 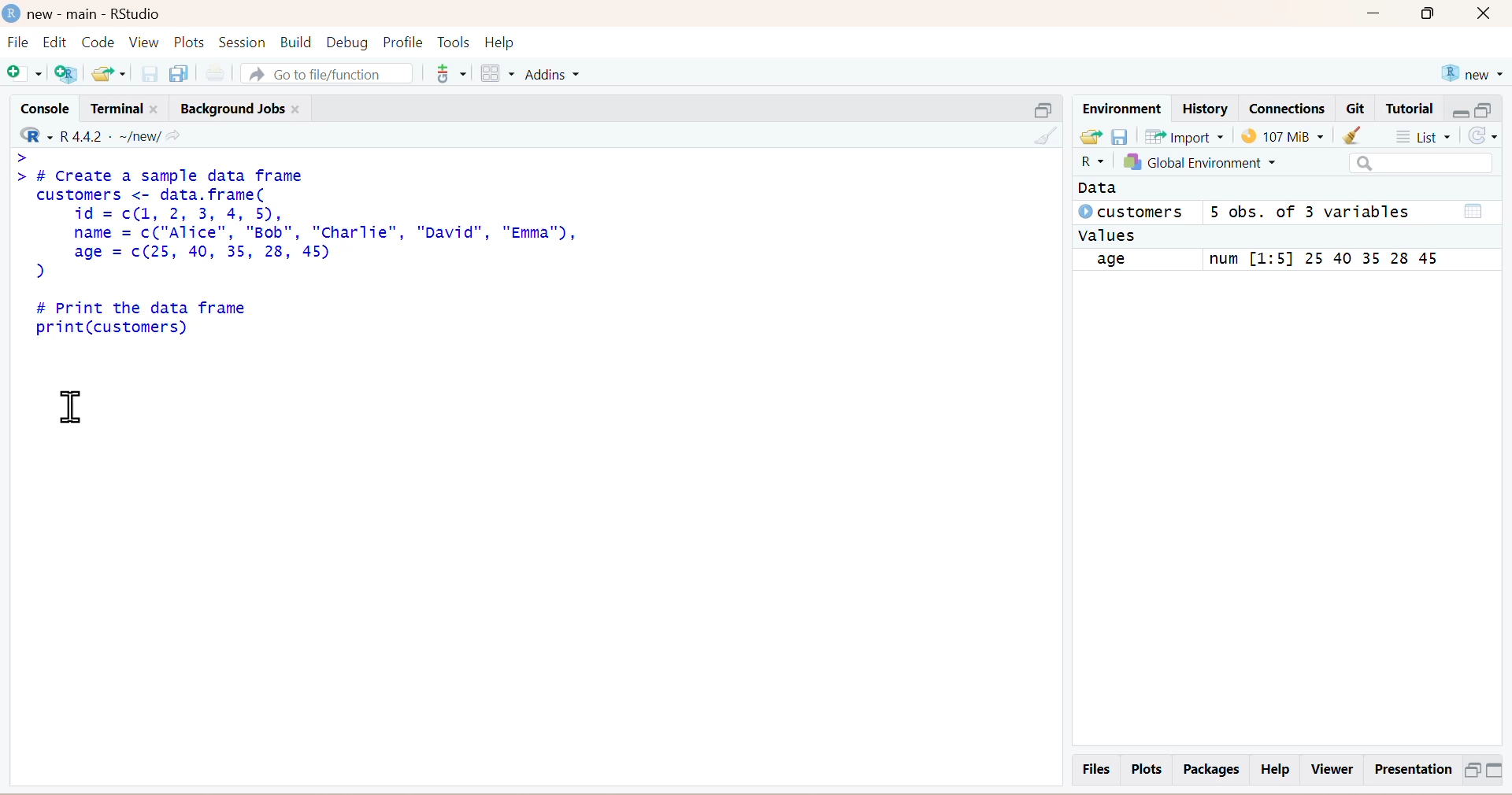 I want to click on Open existing file, so click(x=111, y=72).